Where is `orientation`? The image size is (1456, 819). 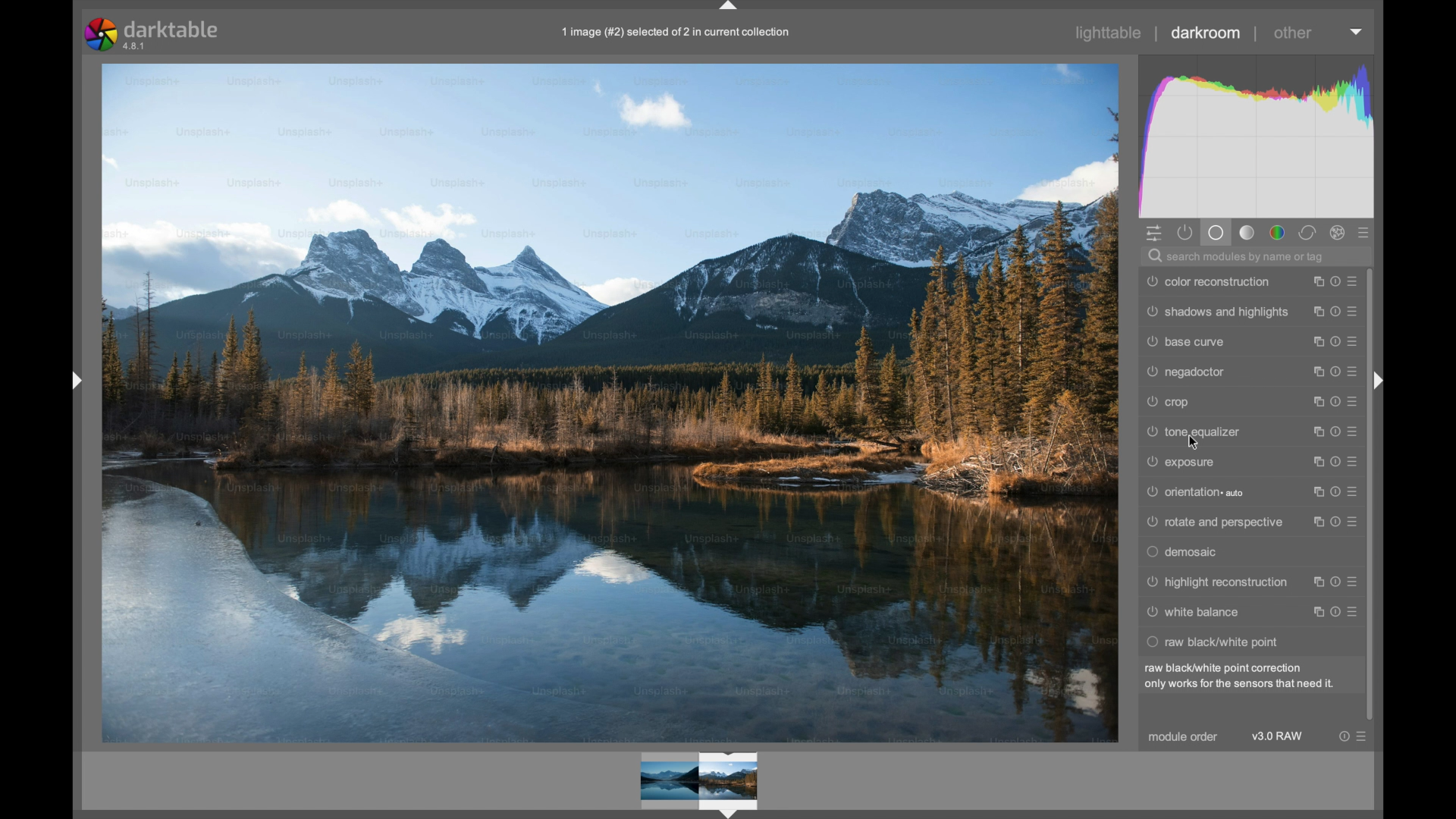
orientation is located at coordinates (1198, 492).